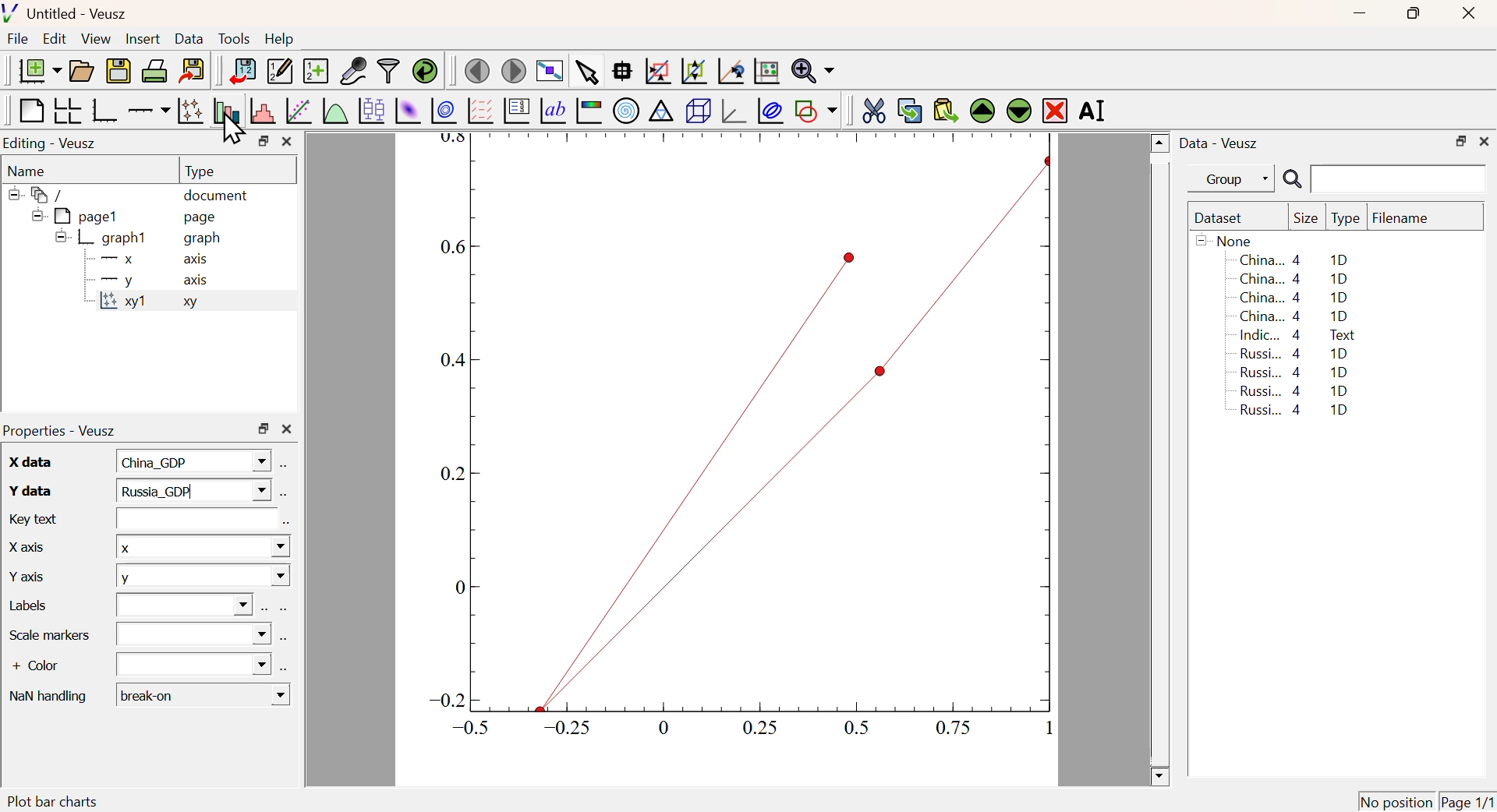  I want to click on Dropdown, so click(184, 605).